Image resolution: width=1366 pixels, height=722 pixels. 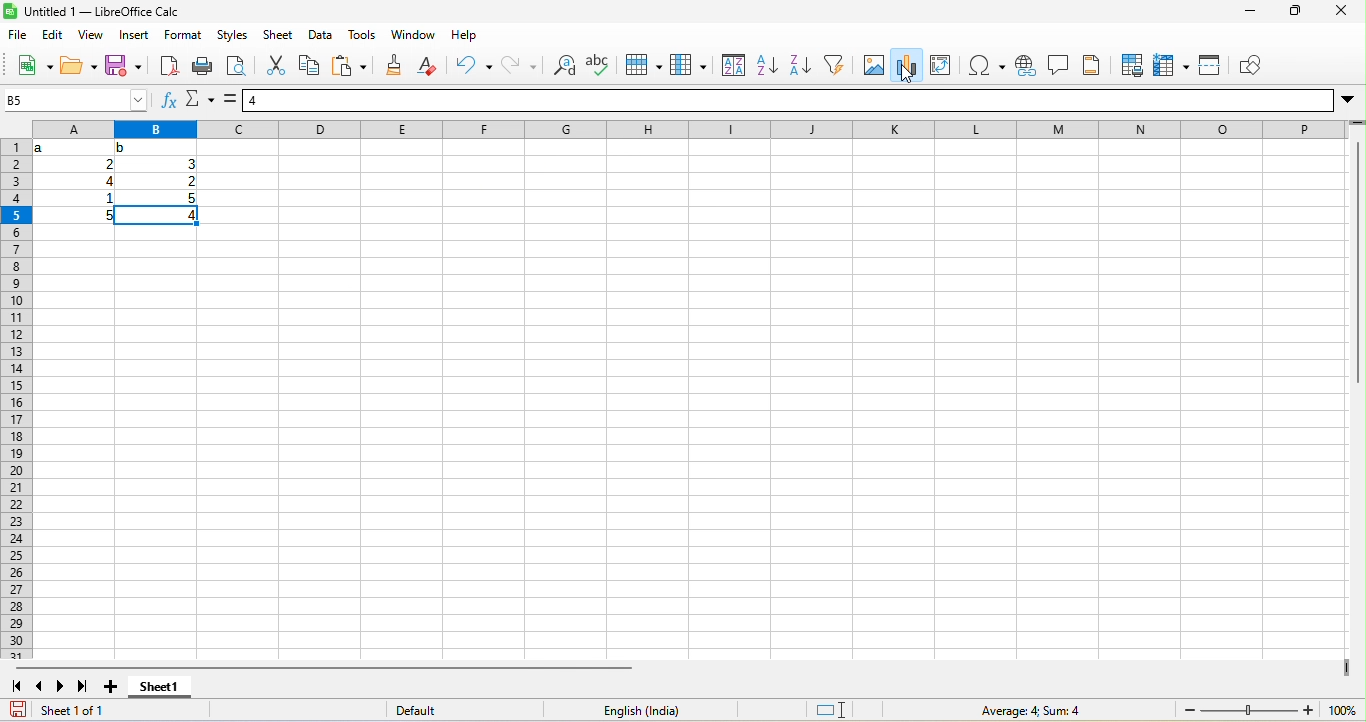 What do you see at coordinates (788, 100) in the screenshot?
I see `formula bar` at bounding box center [788, 100].